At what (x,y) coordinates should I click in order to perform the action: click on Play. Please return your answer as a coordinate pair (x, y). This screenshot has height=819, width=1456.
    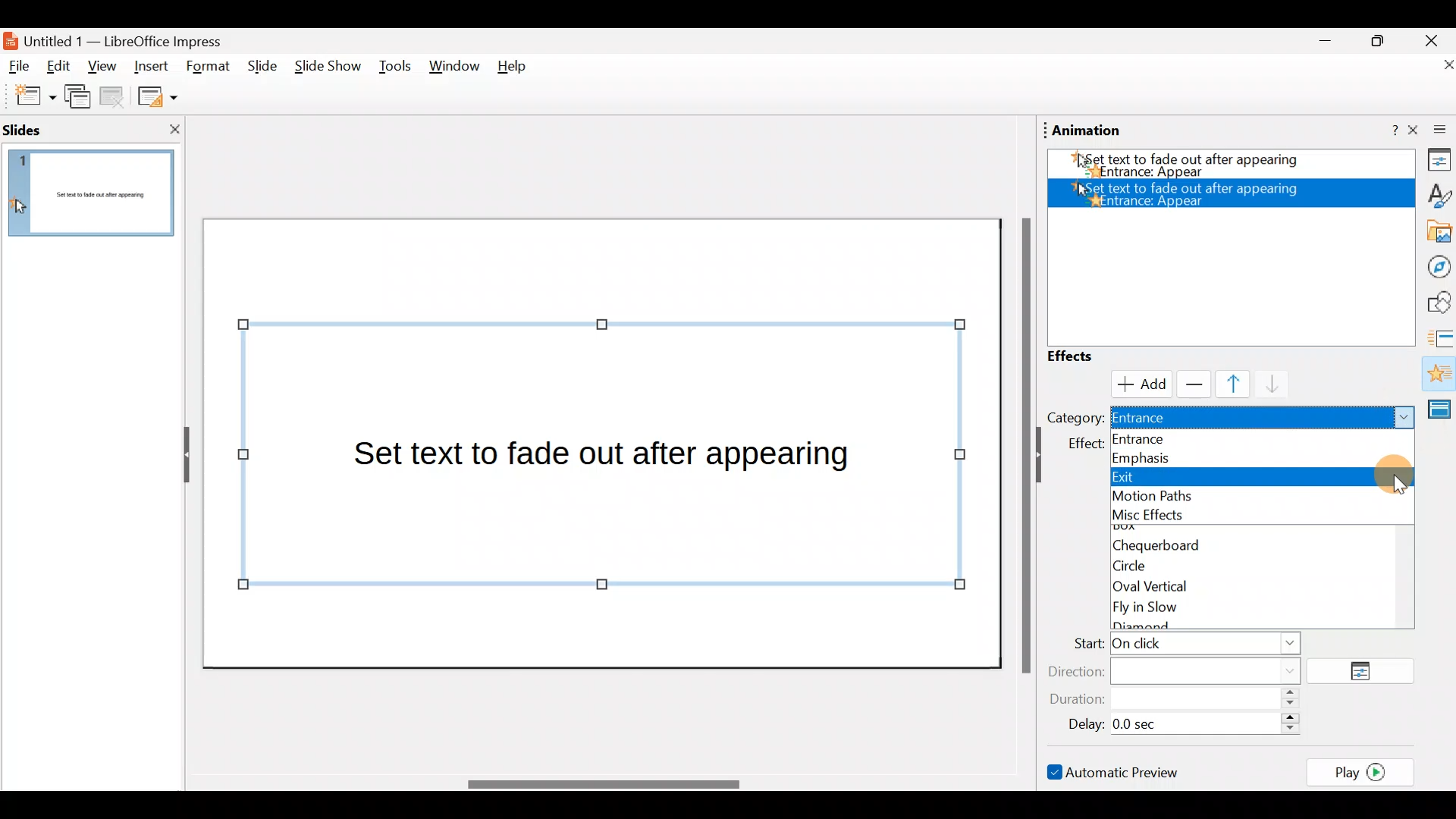
    Looking at the image, I should click on (1365, 771).